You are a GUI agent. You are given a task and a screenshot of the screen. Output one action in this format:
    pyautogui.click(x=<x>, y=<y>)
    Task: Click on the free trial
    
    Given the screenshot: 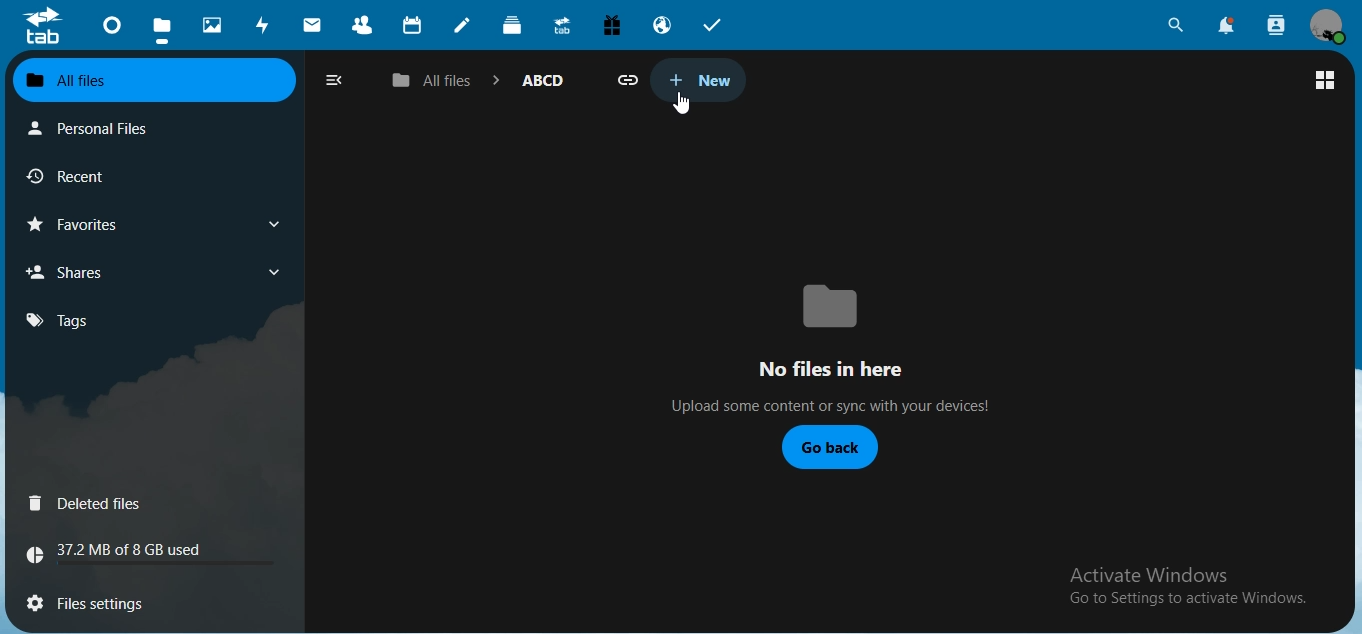 What is the action you would take?
    pyautogui.click(x=614, y=24)
    